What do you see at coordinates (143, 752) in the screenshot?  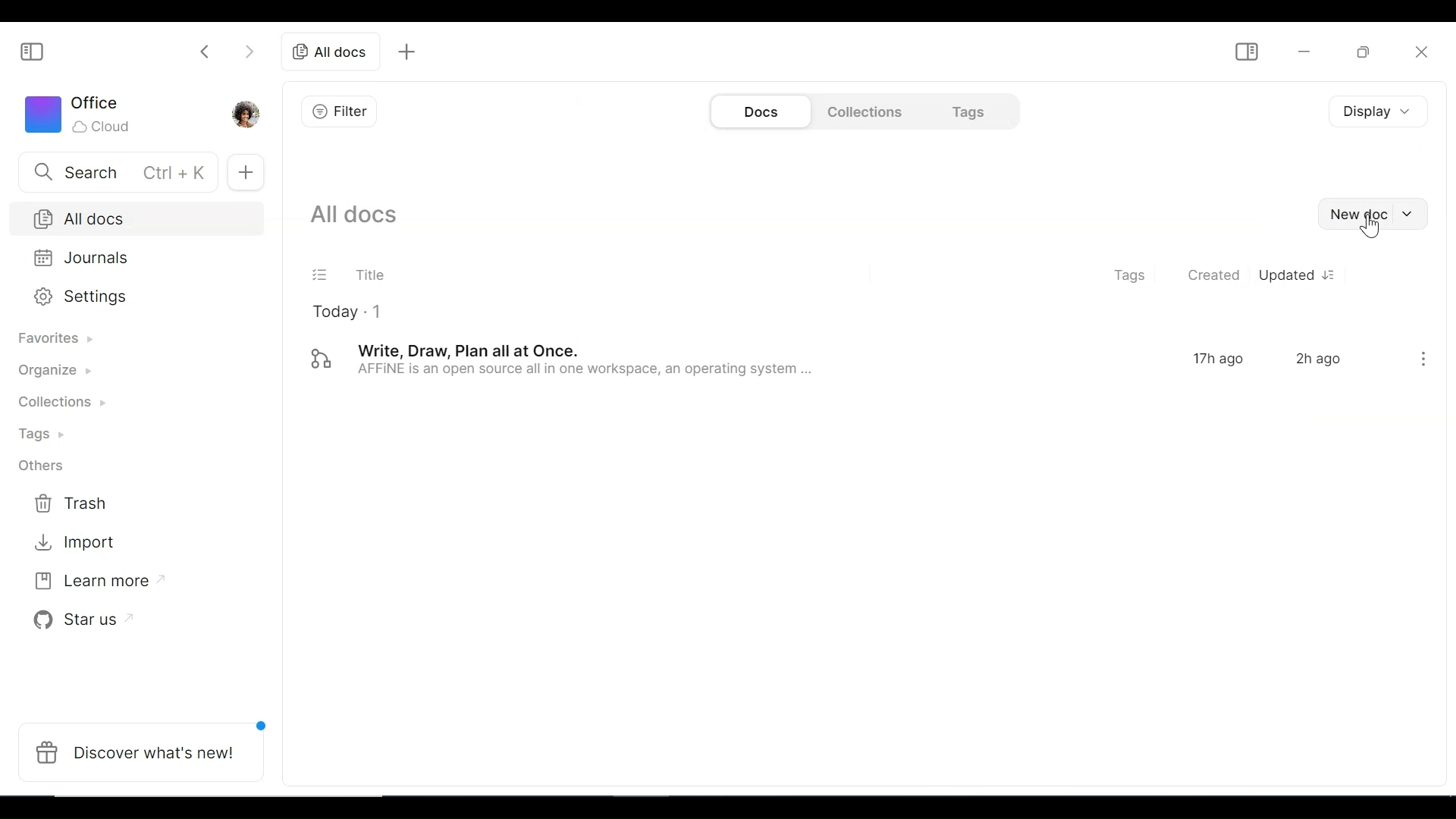 I see `Discover what's new` at bounding box center [143, 752].